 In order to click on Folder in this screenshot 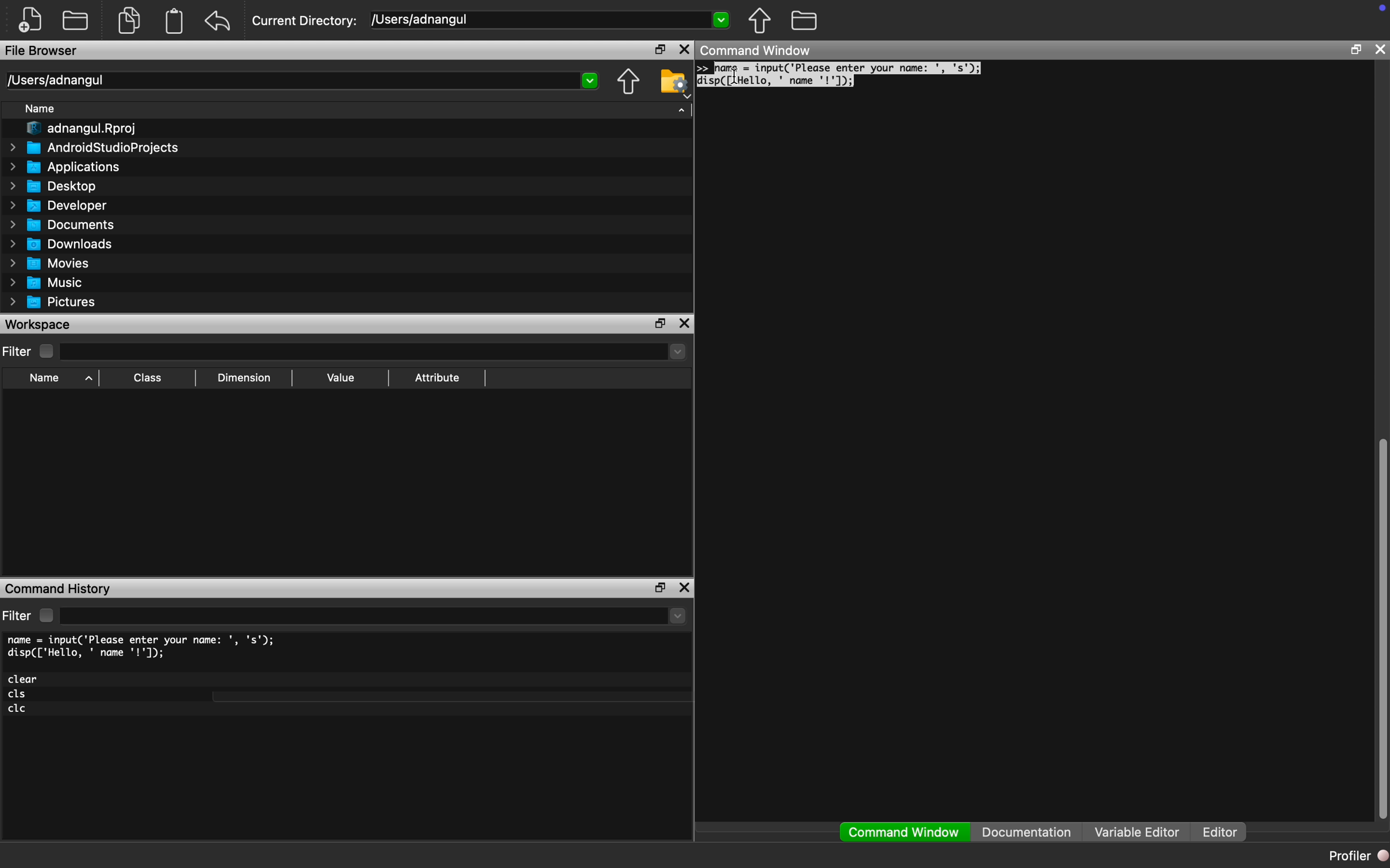, I will do `click(75, 20)`.